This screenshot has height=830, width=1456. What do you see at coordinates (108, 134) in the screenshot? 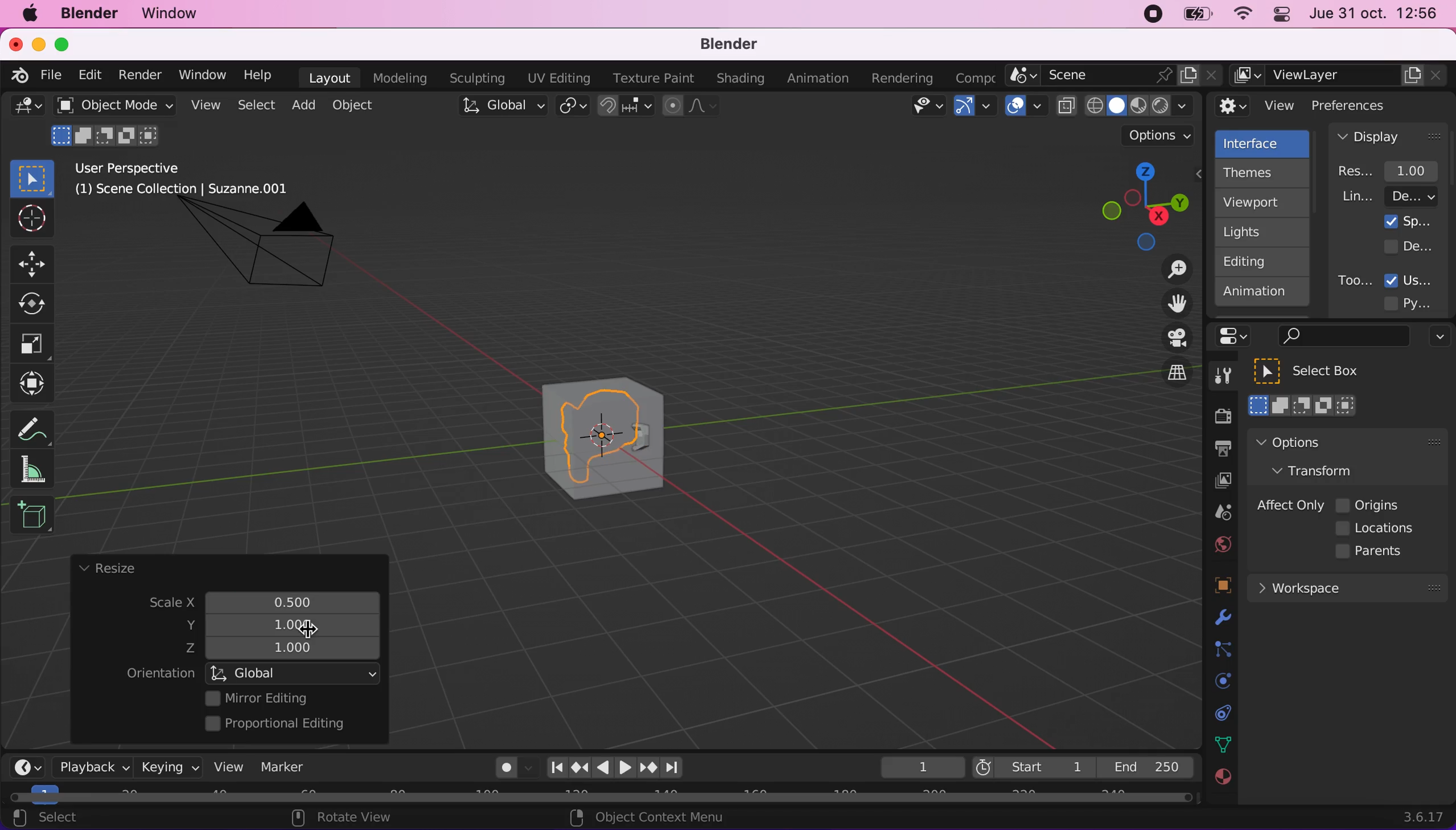
I see `mode` at bounding box center [108, 134].